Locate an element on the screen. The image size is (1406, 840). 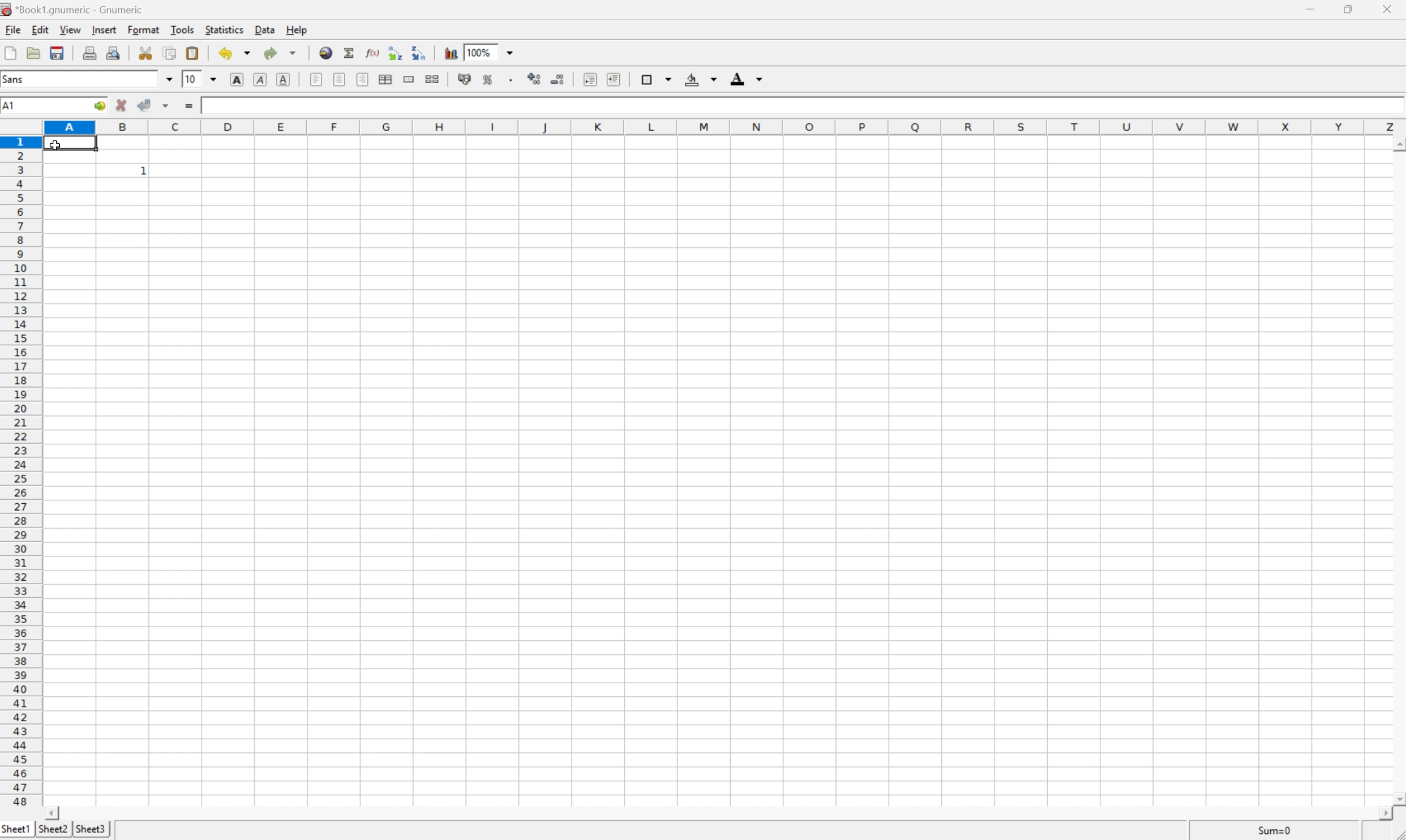
edit function in current cell is located at coordinates (372, 53).